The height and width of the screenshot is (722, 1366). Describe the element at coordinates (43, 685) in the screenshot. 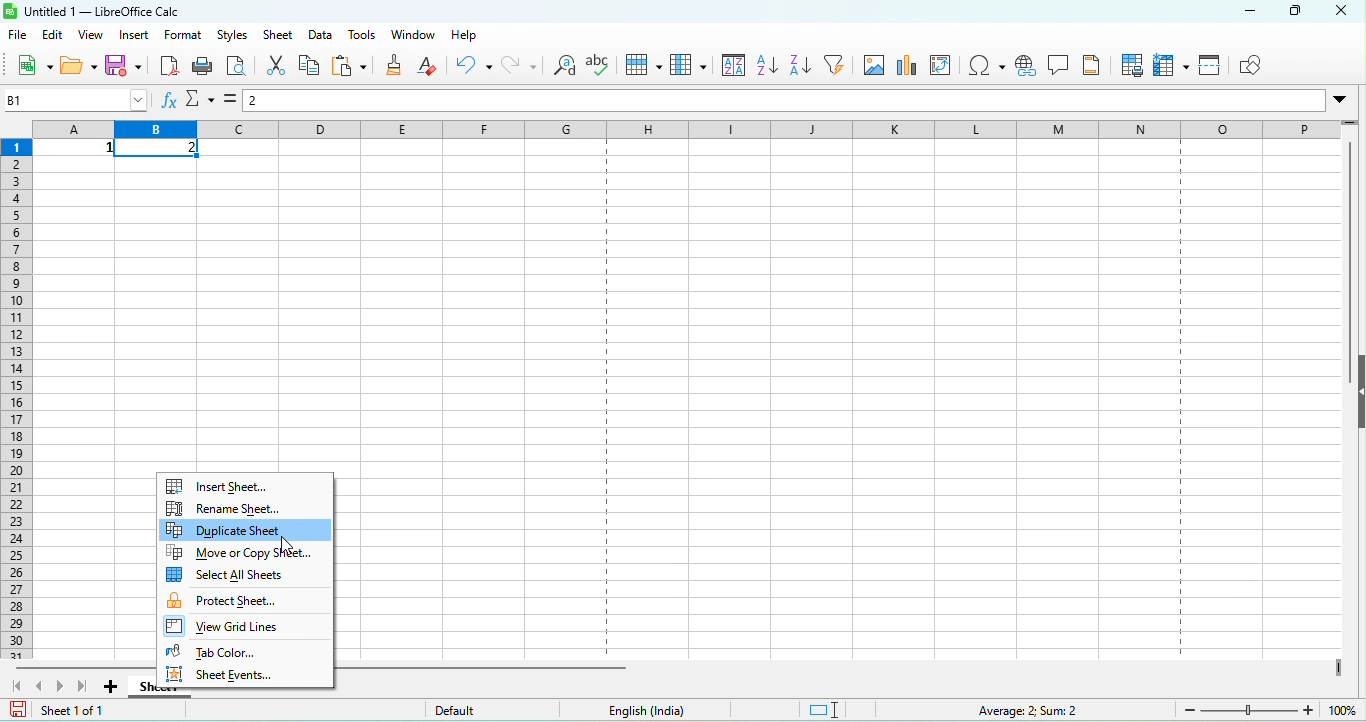

I see `scroll to previous sheet` at that location.